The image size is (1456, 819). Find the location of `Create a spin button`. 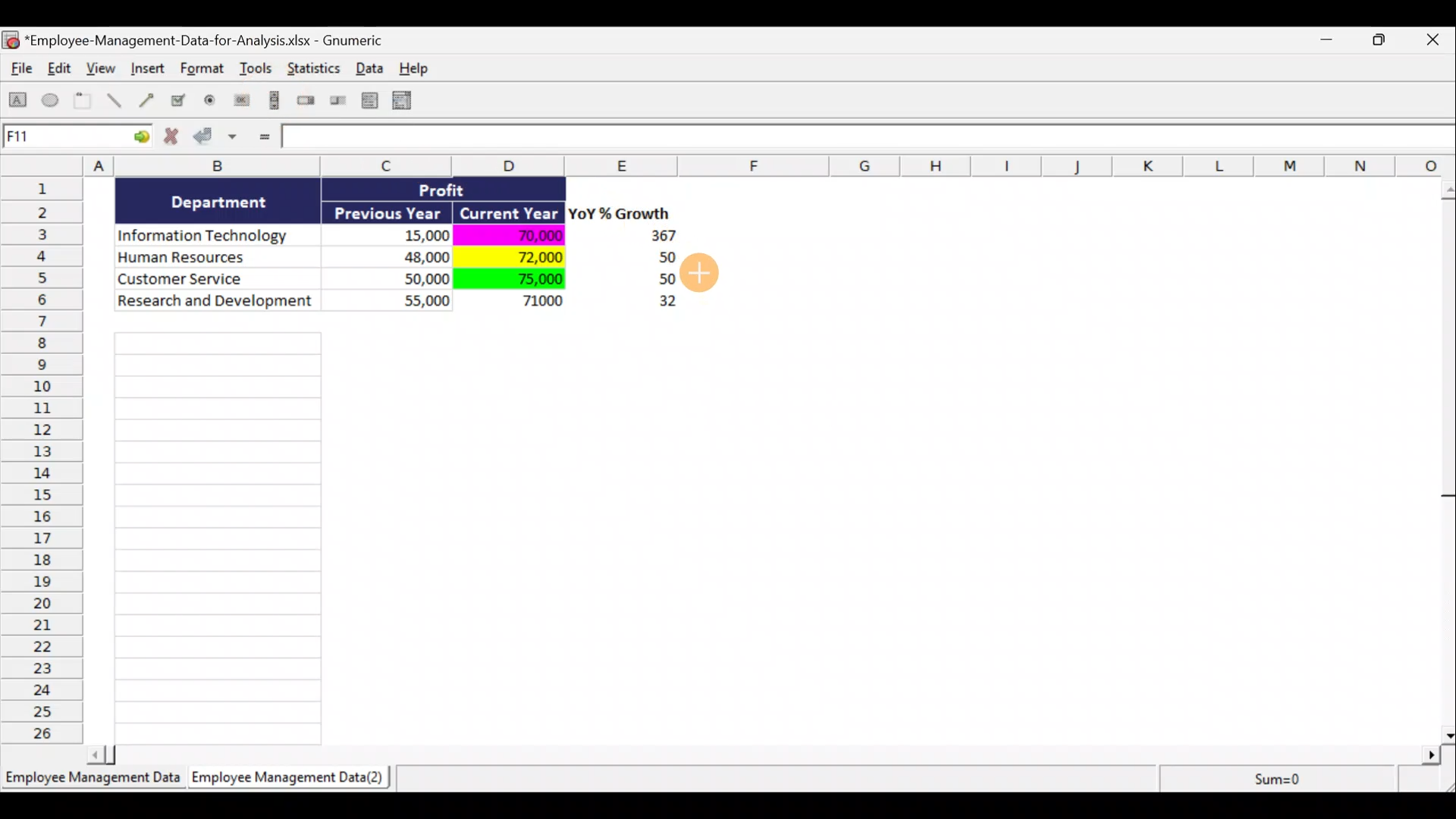

Create a spin button is located at coordinates (307, 102).